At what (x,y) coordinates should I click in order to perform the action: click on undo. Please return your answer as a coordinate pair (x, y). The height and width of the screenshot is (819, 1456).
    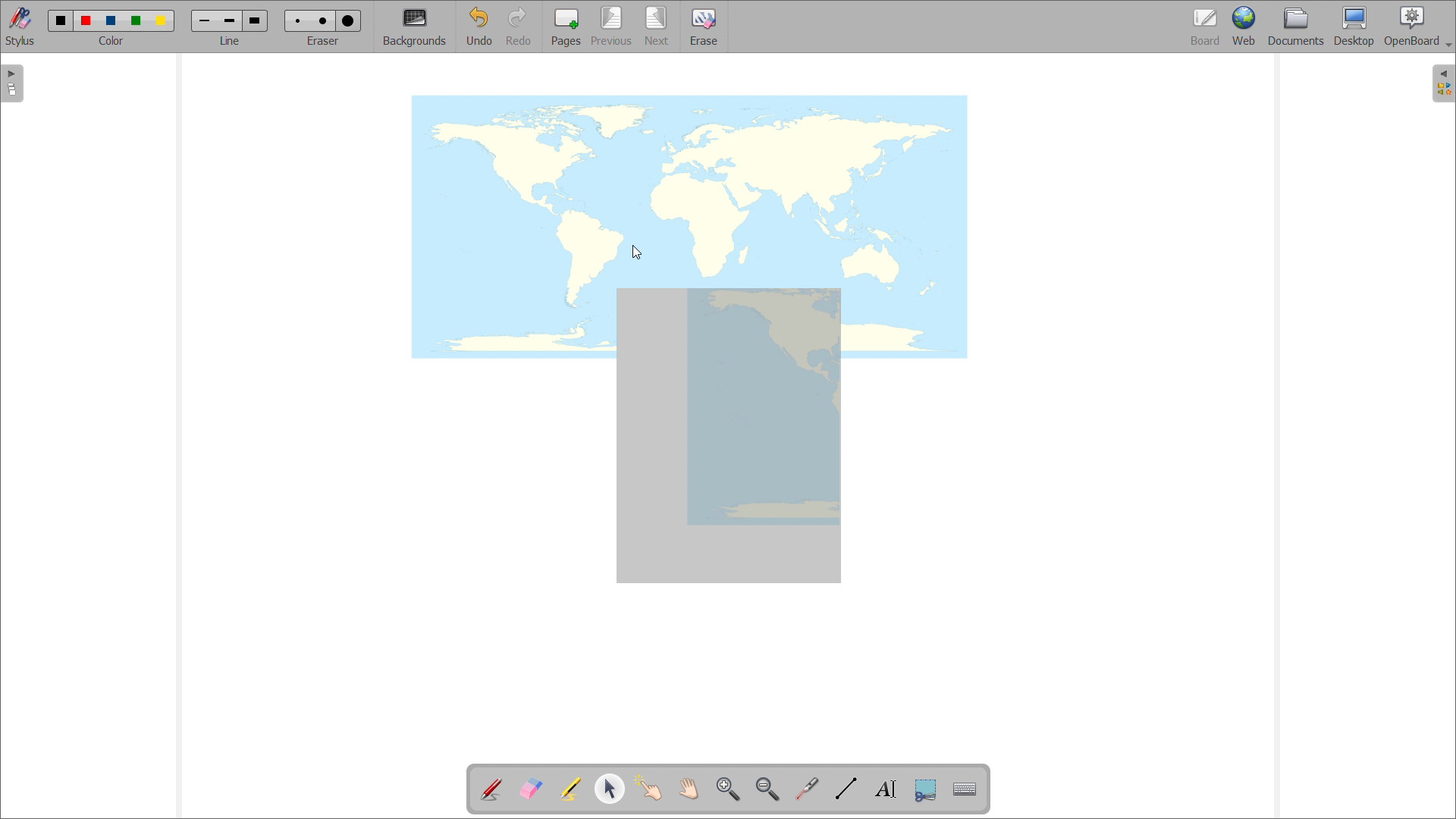
    Looking at the image, I should click on (479, 27).